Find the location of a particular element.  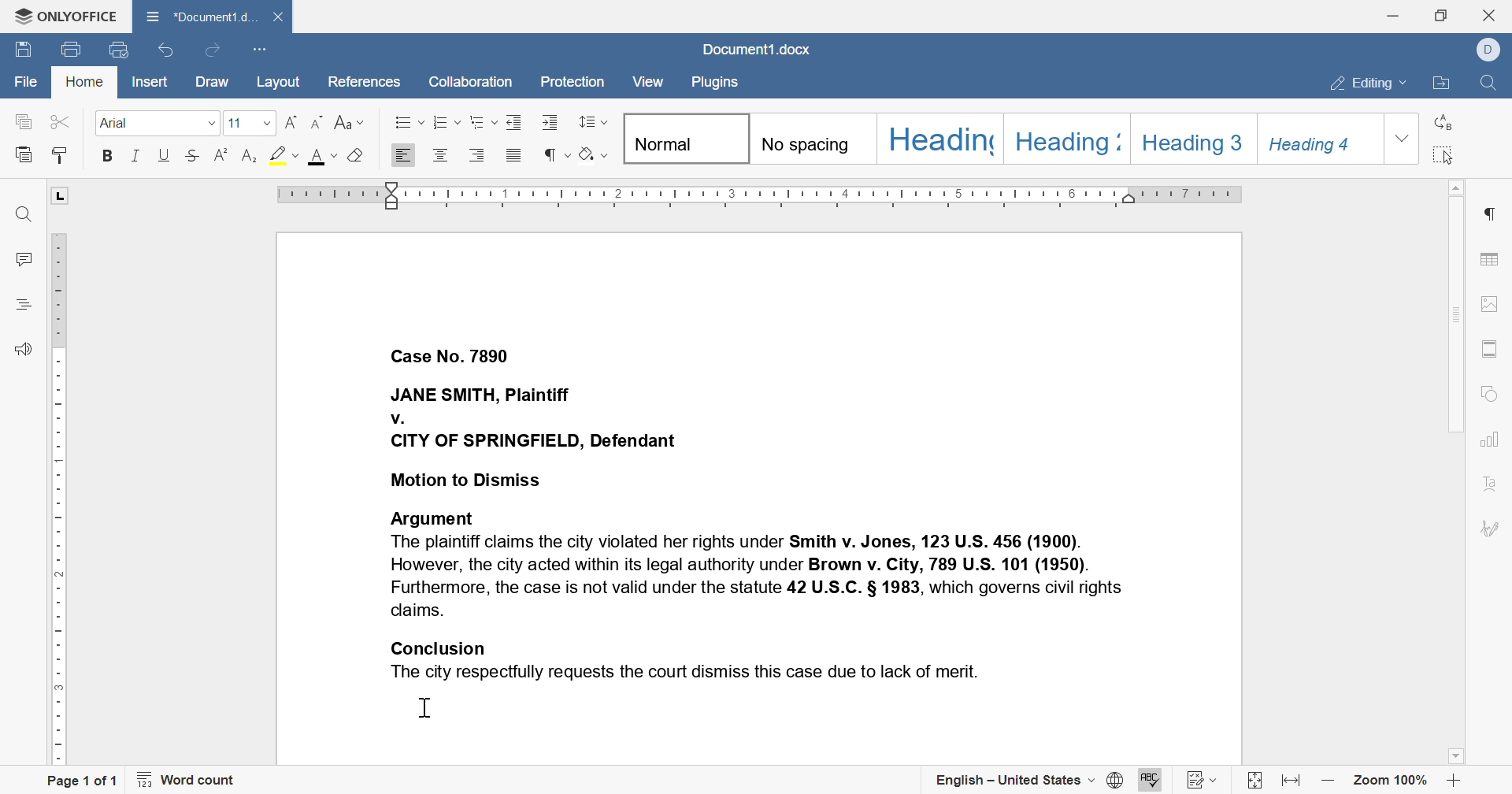

ONLYOFFICE is located at coordinates (63, 19).